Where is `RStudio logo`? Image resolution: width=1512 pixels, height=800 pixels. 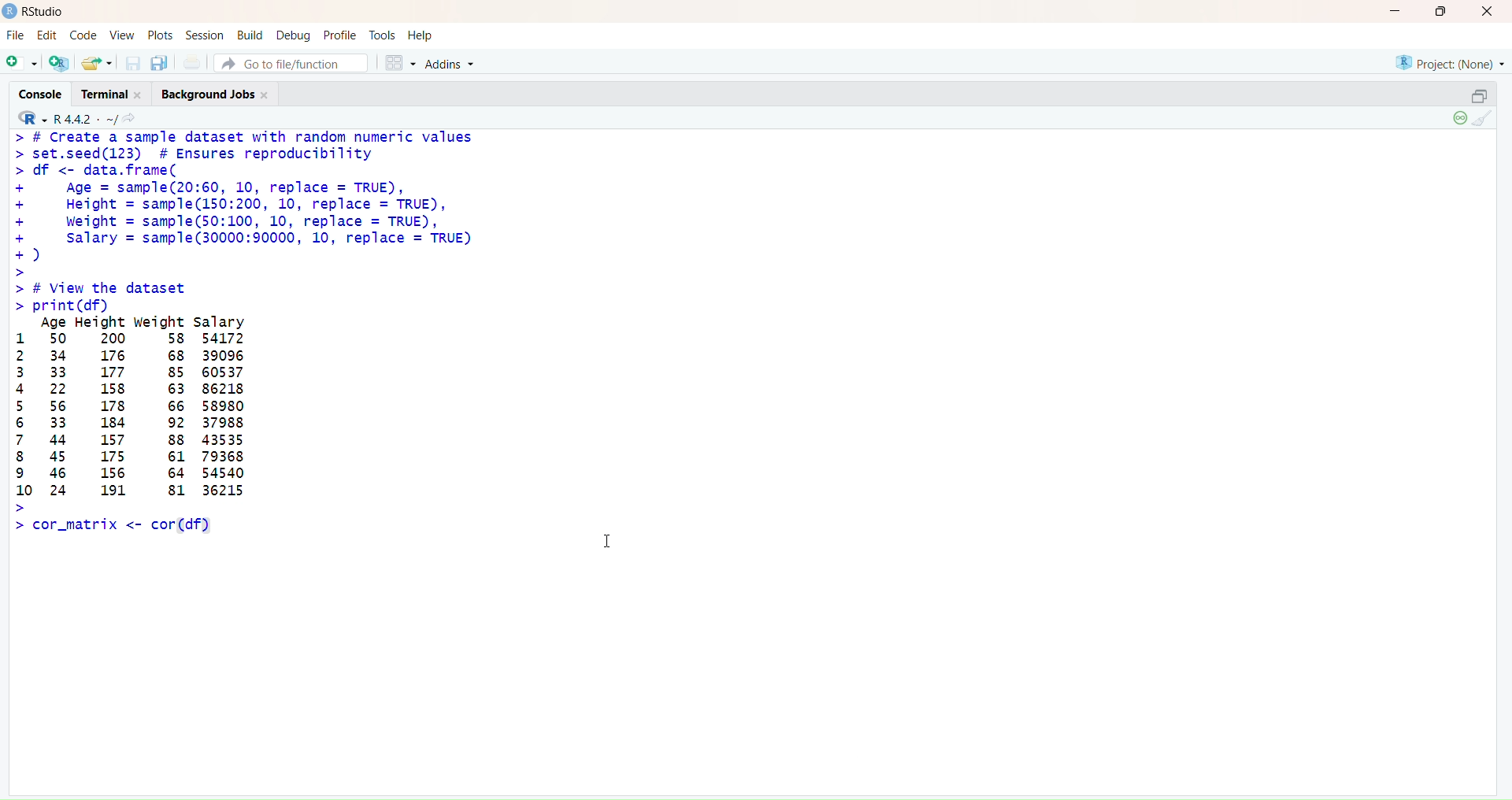 RStudio logo is located at coordinates (28, 117).